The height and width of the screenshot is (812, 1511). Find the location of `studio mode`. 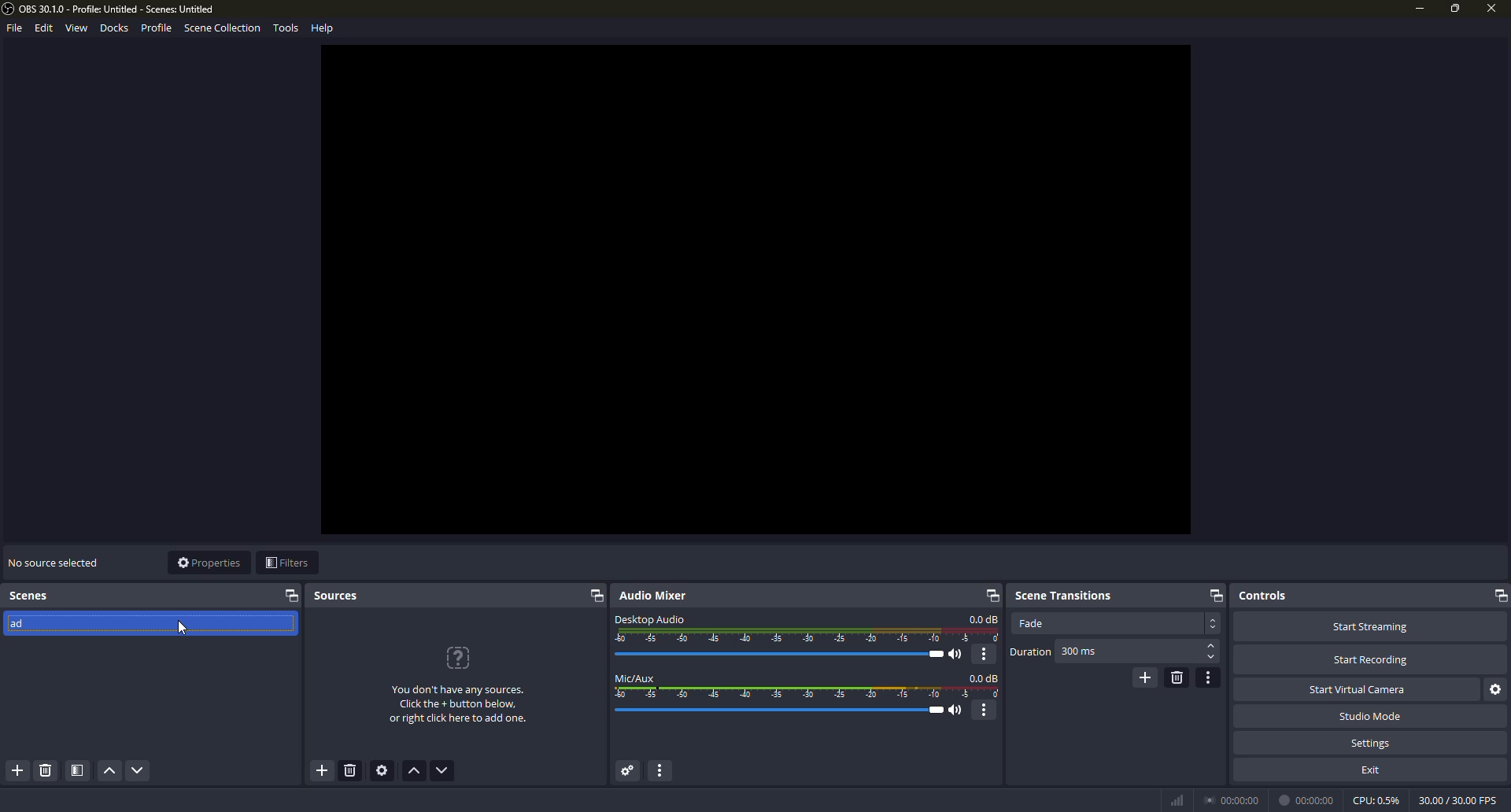

studio mode is located at coordinates (1369, 716).